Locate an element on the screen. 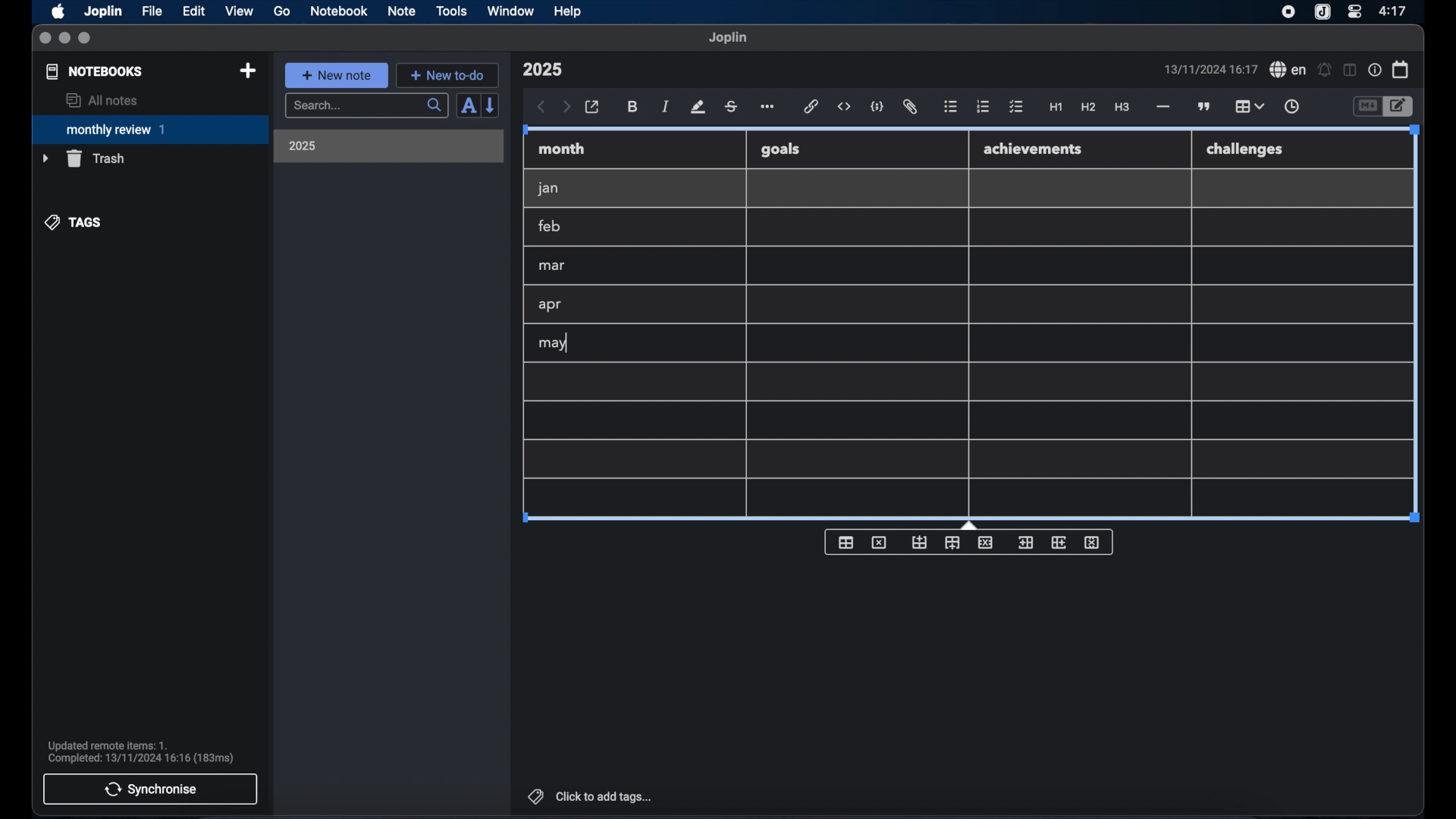  apple icon is located at coordinates (57, 11).